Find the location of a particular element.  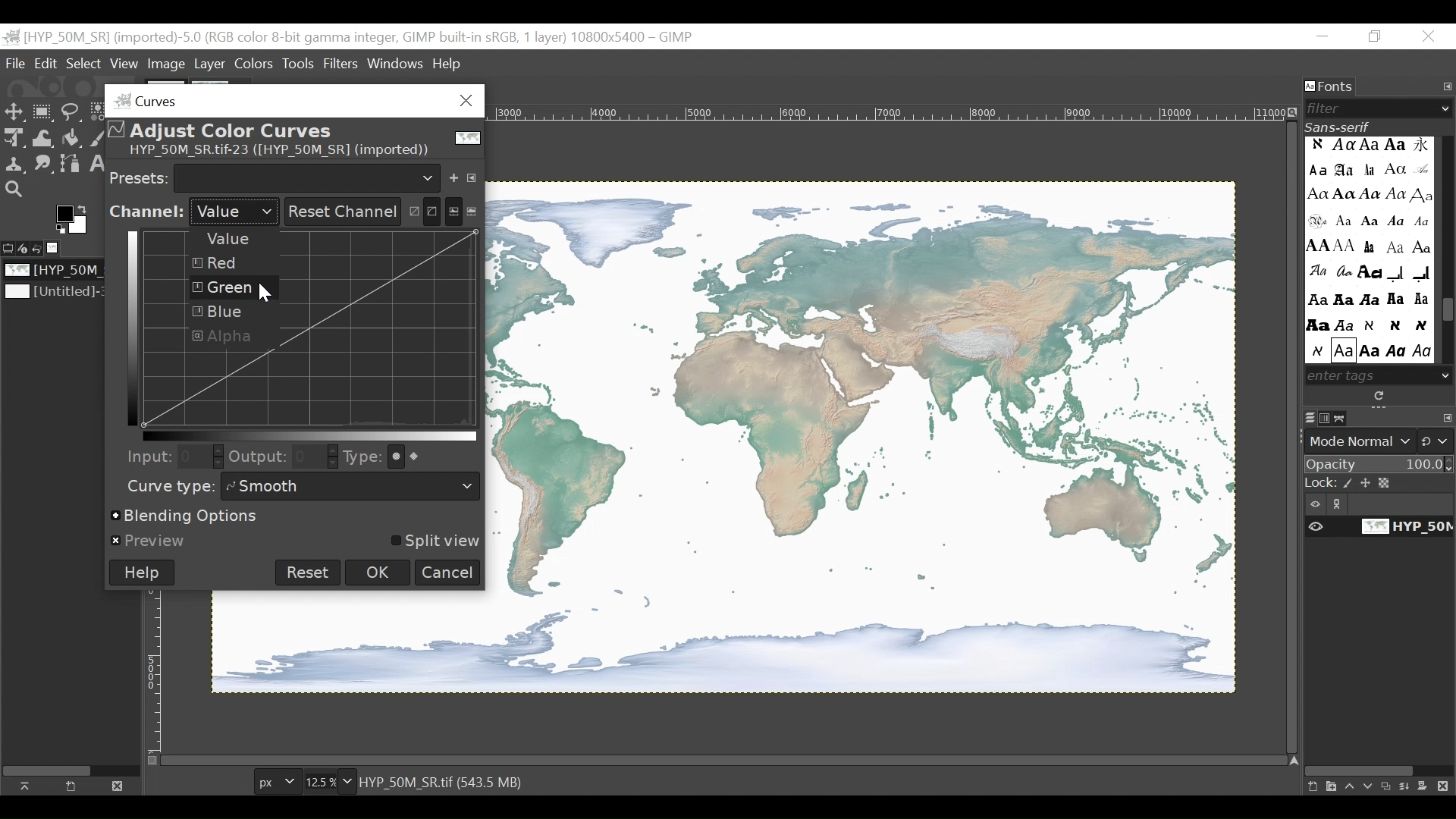

Curve Type Options is located at coordinates (411, 457).